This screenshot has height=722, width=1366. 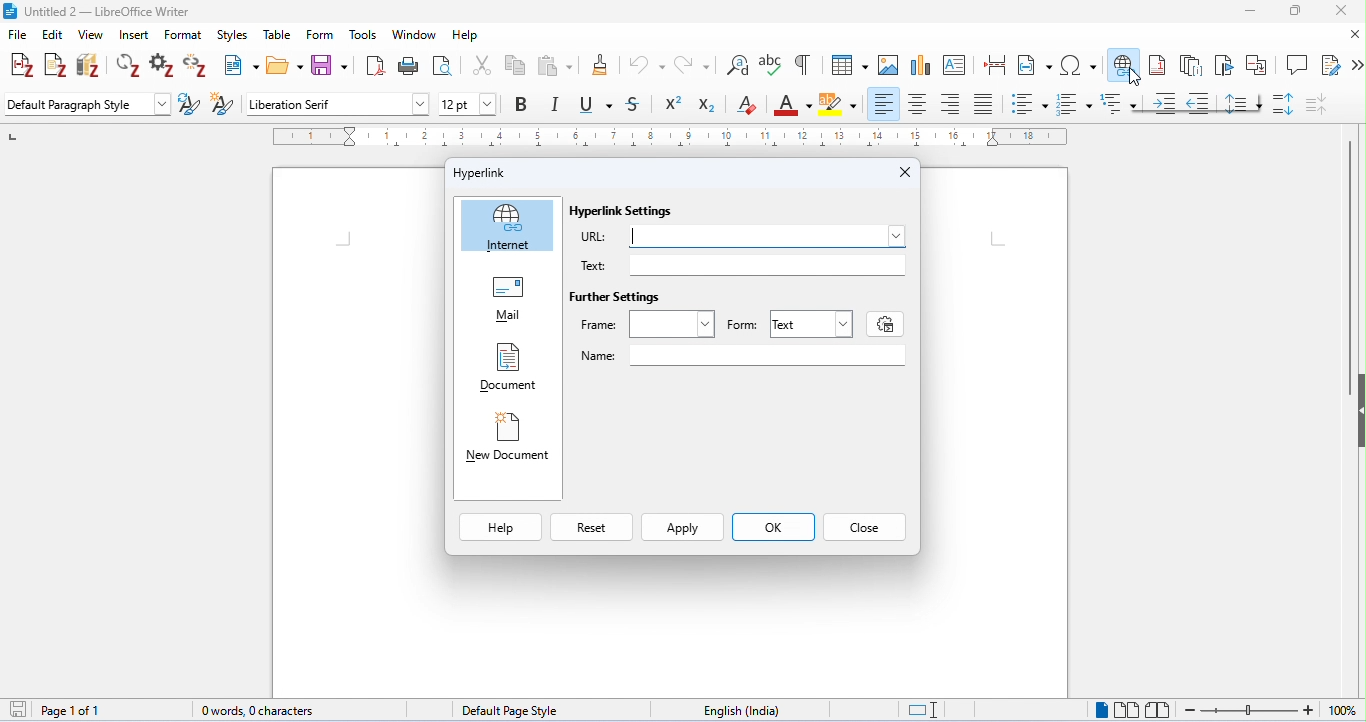 I want to click on add/edit citations, so click(x=23, y=67).